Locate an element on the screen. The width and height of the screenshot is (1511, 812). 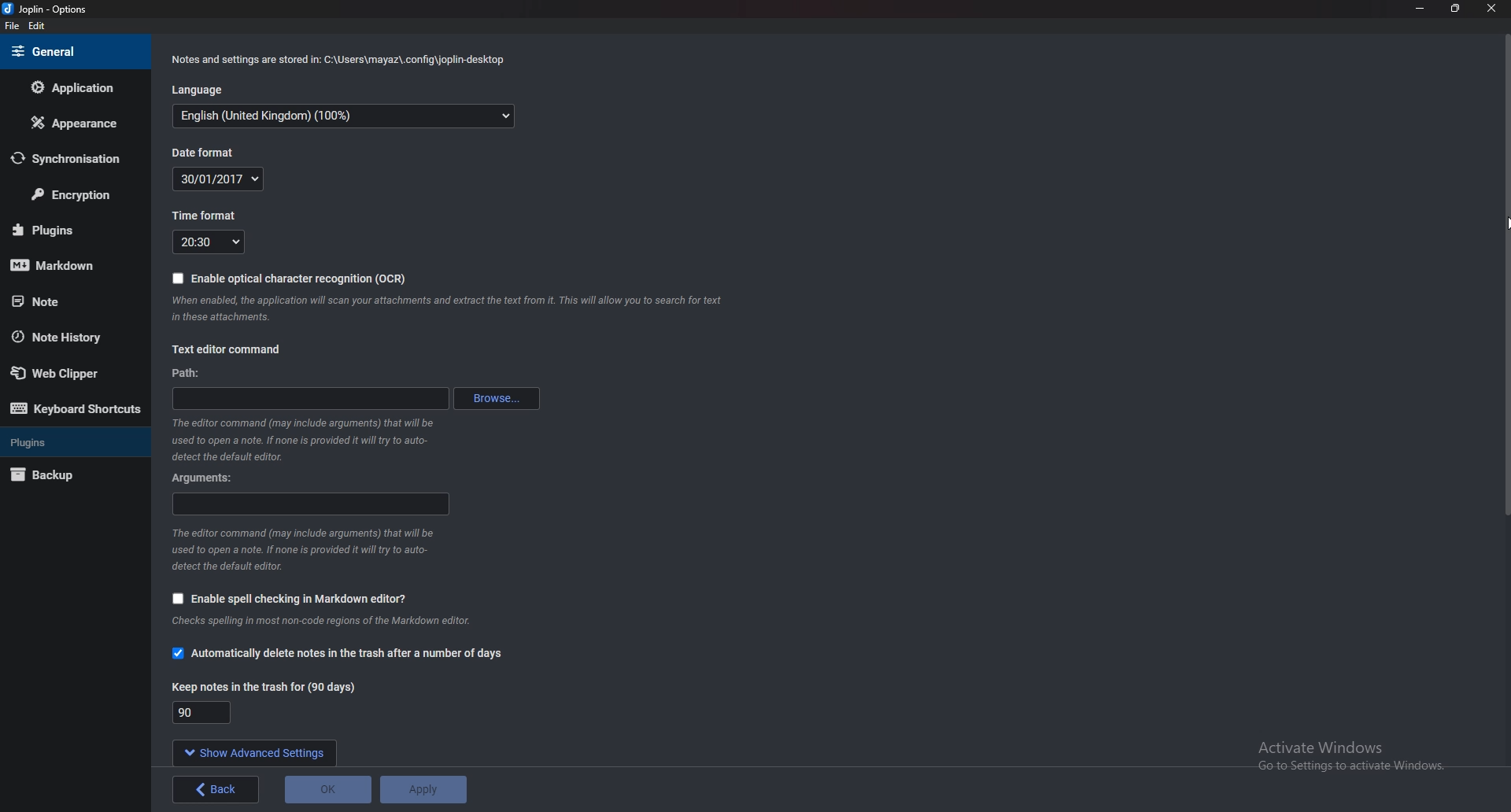
Edit is located at coordinates (36, 27).